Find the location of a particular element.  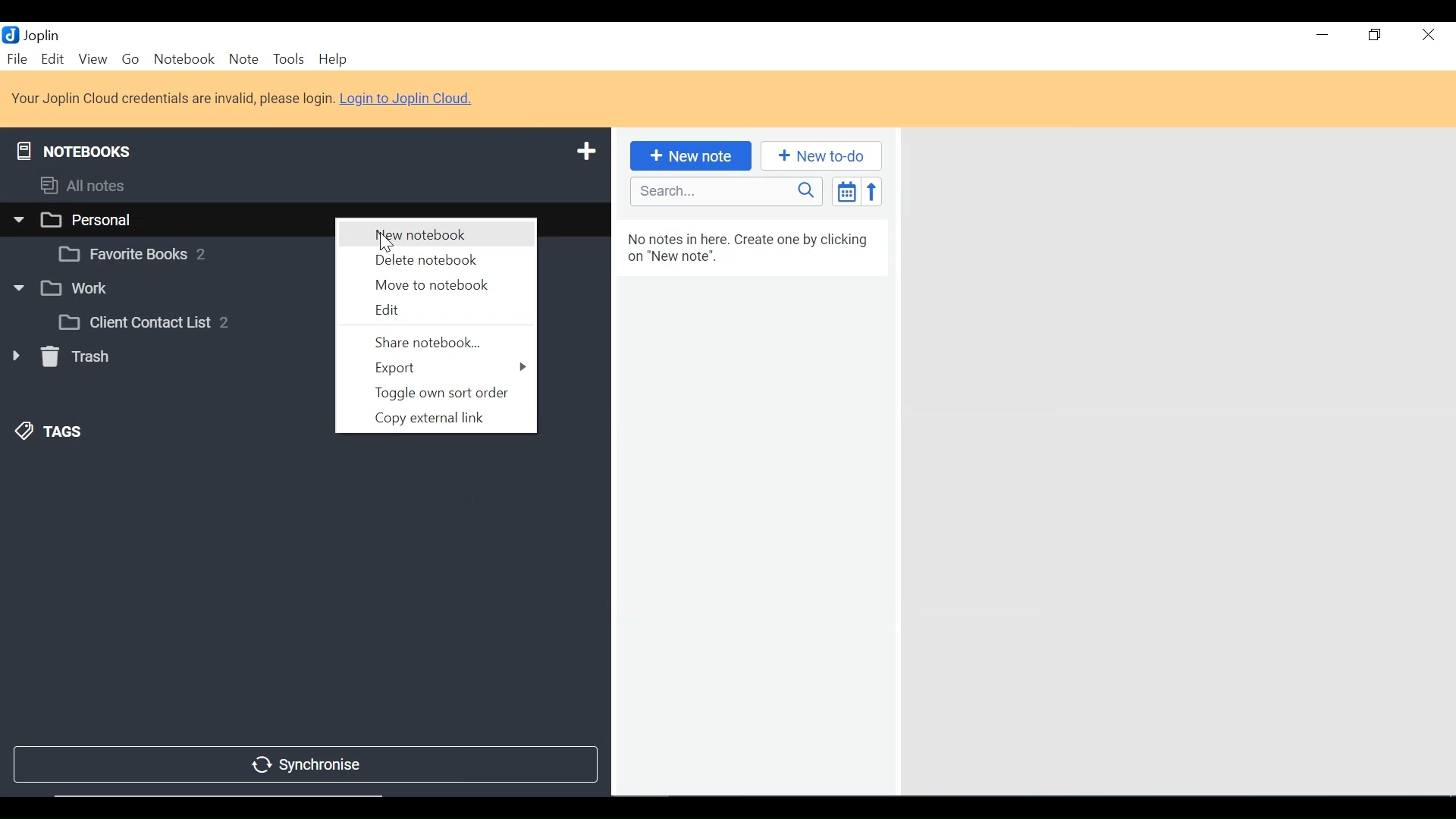

Trash is located at coordinates (59, 356).